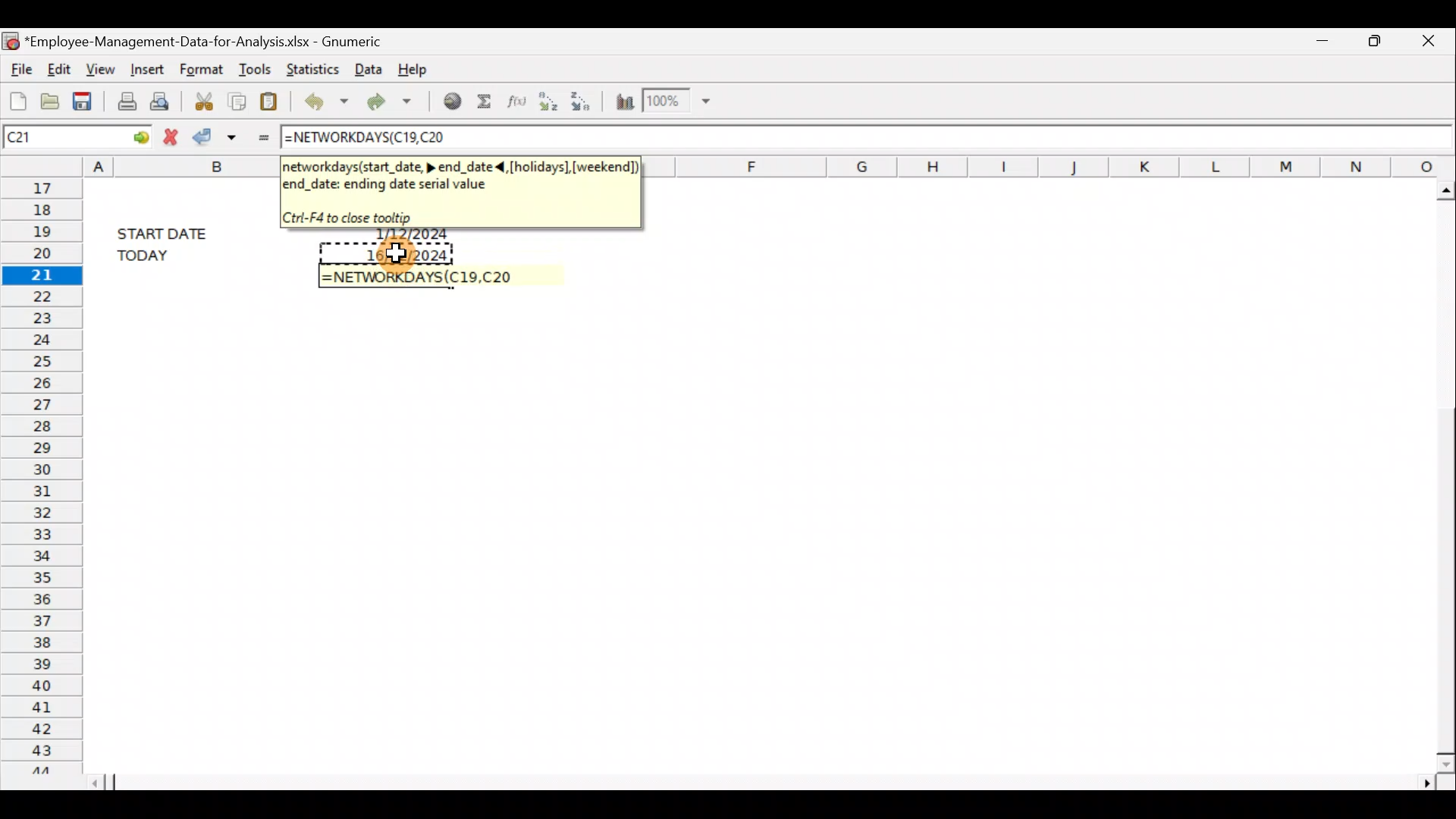 The height and width of the screenshot is (819, 1456). Describe the element at coordinates (239, 99) in the screenshot. I see `Copy the selection` at that location.